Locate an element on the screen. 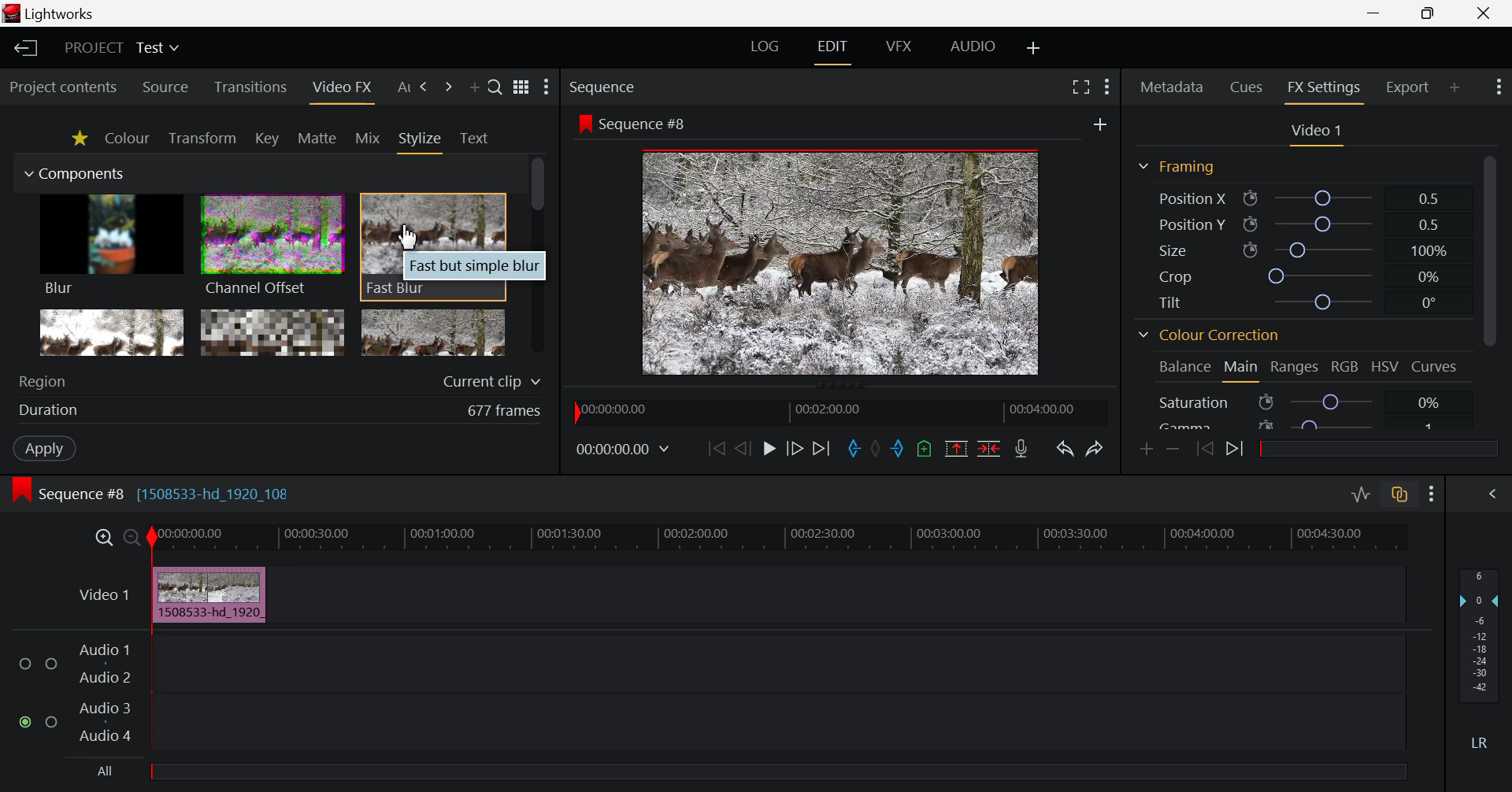  Saturation is located at coordinates (1303, 403).